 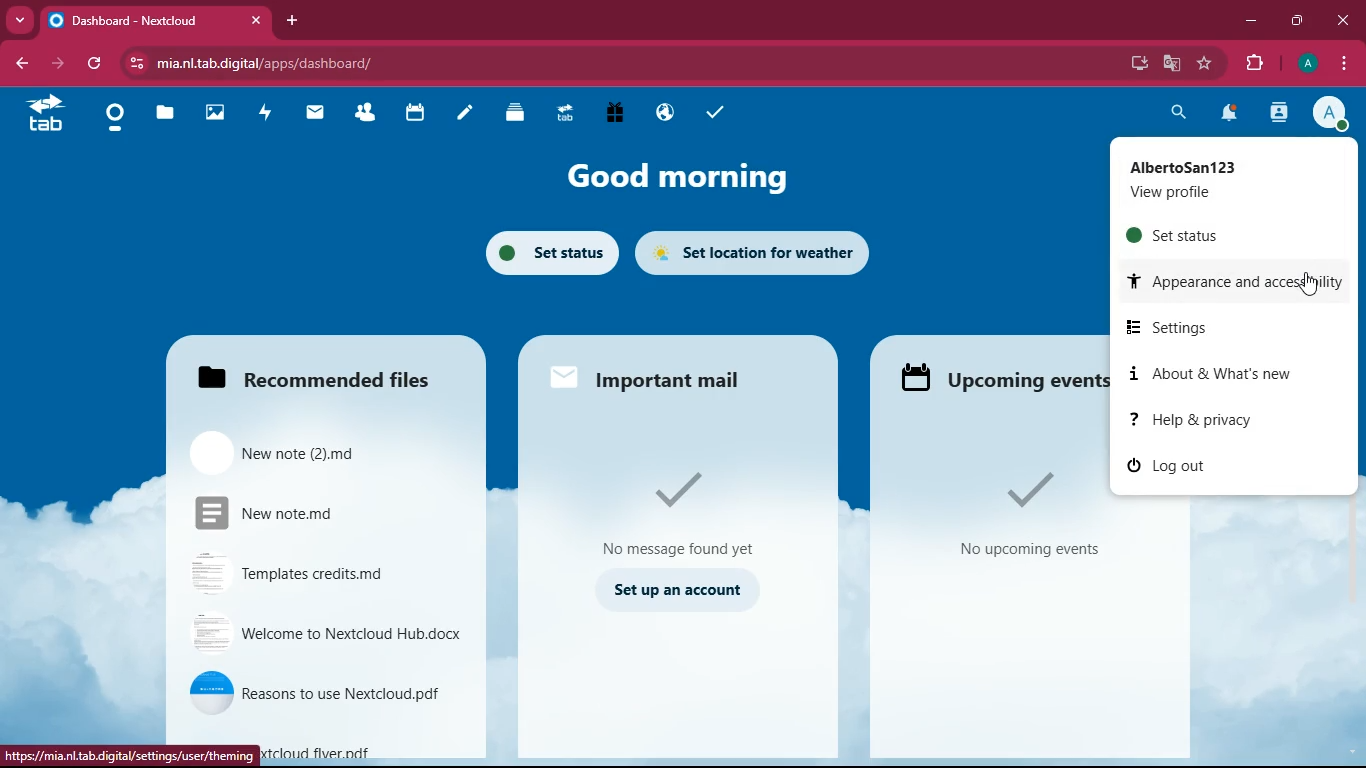 What do you see at coordinates (364, 748) in the screenshot?
I see `file` at bounding box center [364, 748].